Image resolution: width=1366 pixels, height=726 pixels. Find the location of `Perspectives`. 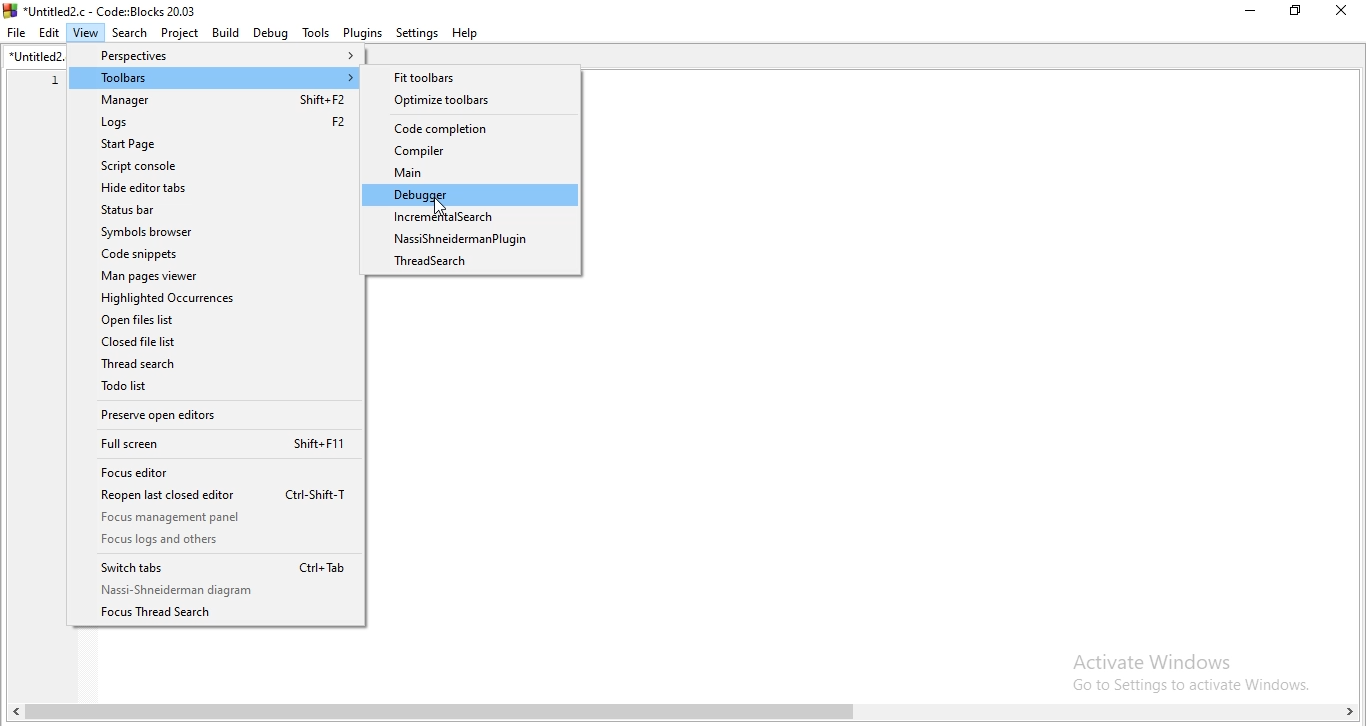

Perspectives is located at coordinates (208, 57).